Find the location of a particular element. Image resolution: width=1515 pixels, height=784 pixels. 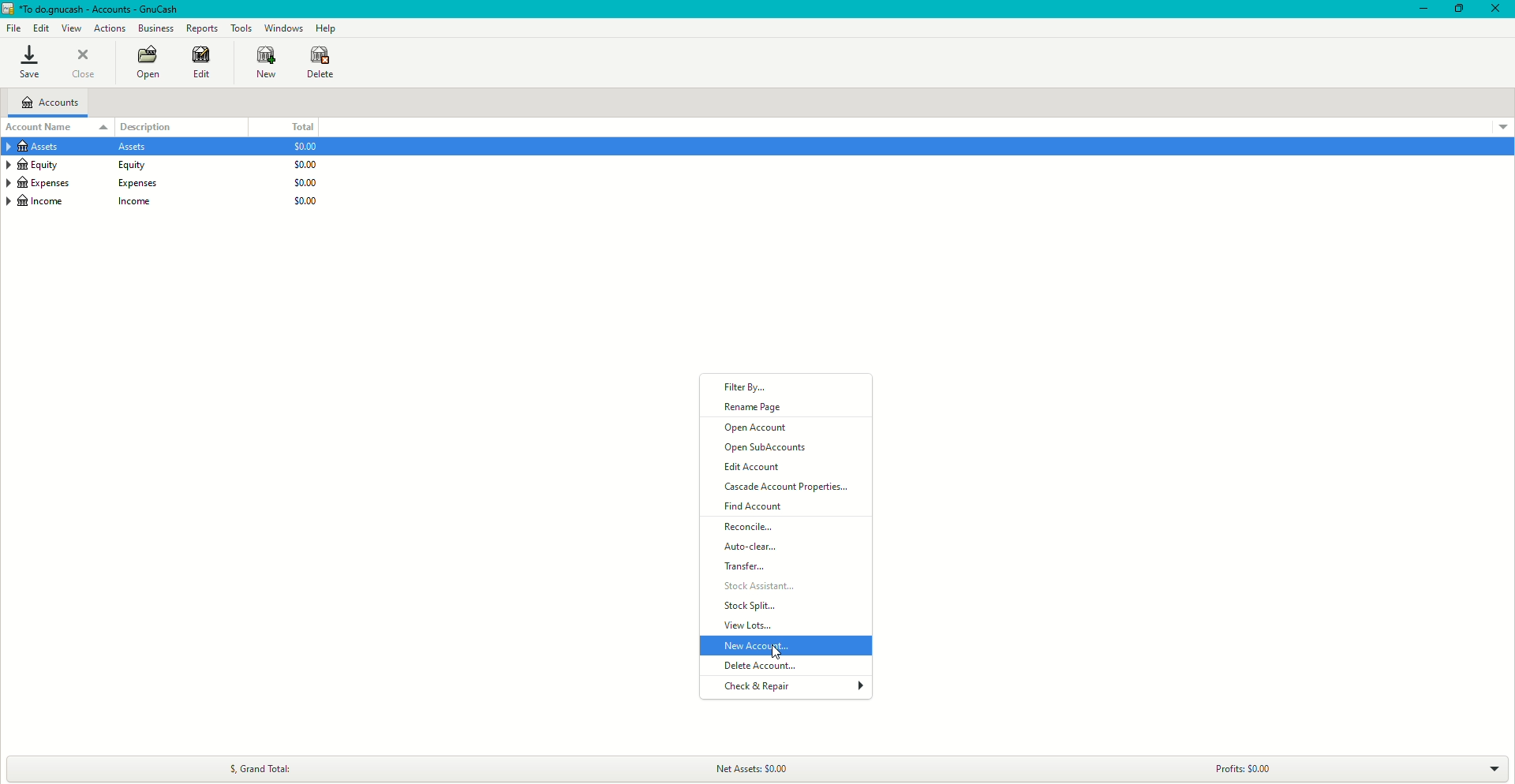

Close is located at coordinates (1495, 9).